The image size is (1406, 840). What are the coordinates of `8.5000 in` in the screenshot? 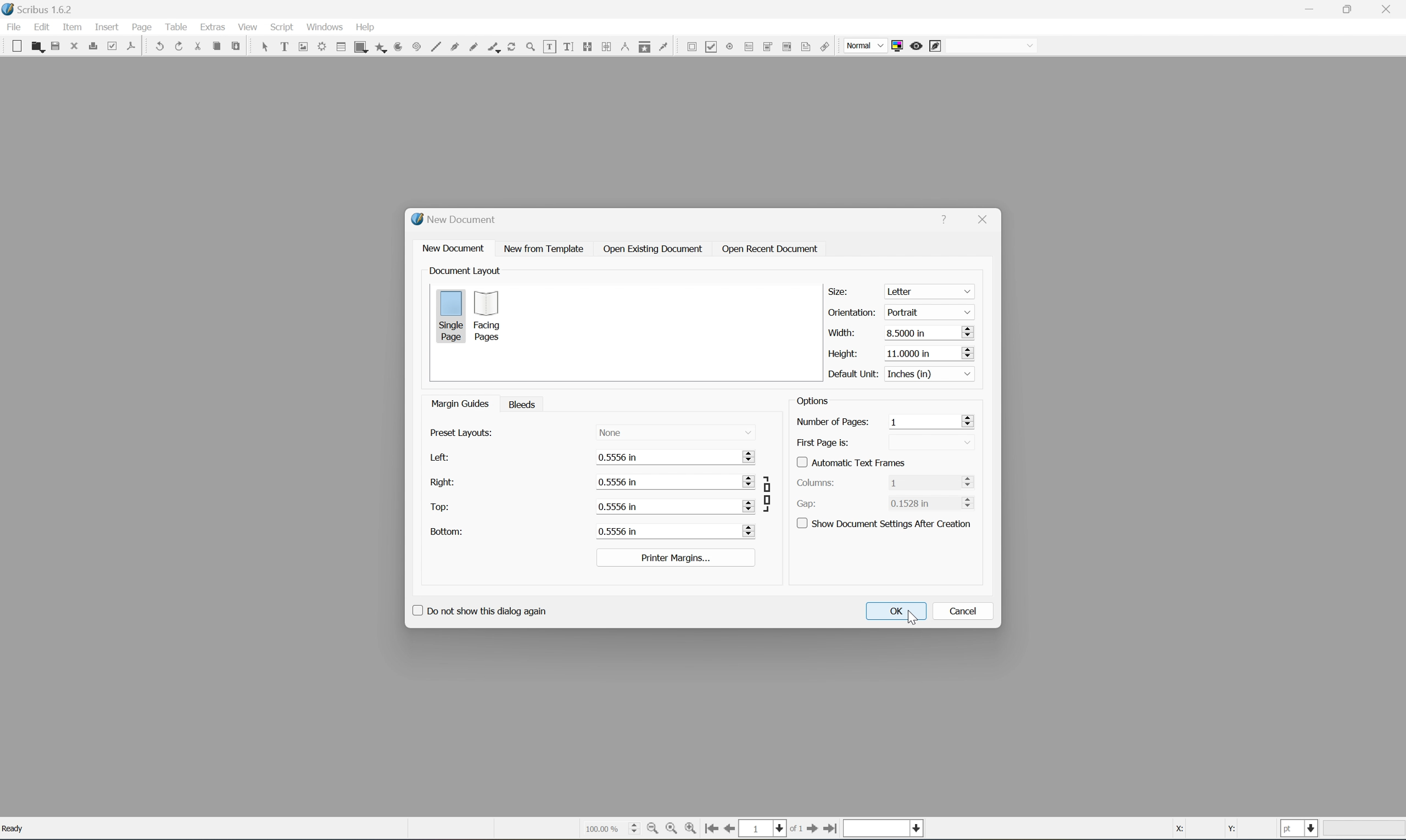 It's located at (929, 332).